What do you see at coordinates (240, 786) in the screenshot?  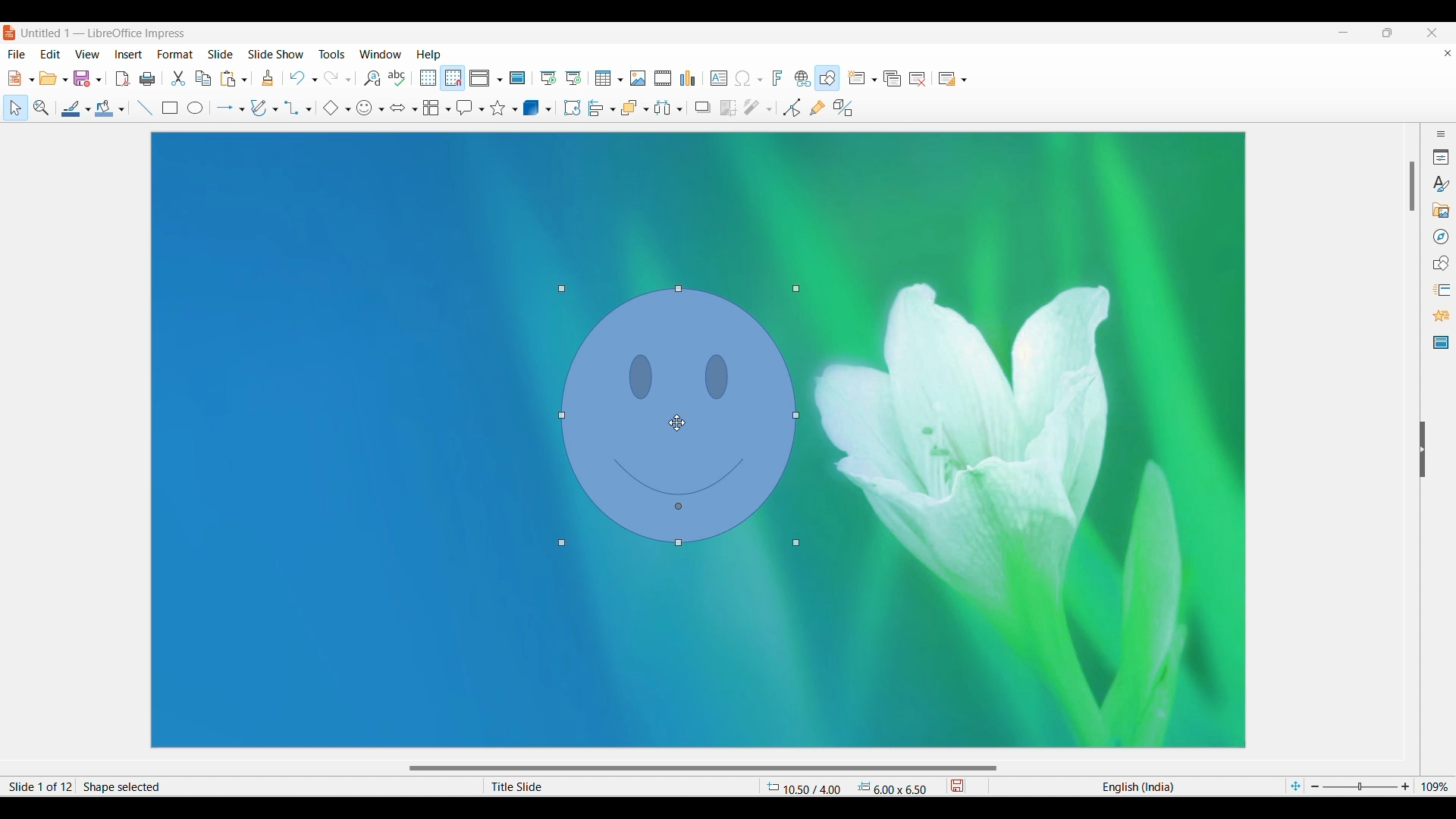 I see `Shape selected` at bounding box center [240, 786].